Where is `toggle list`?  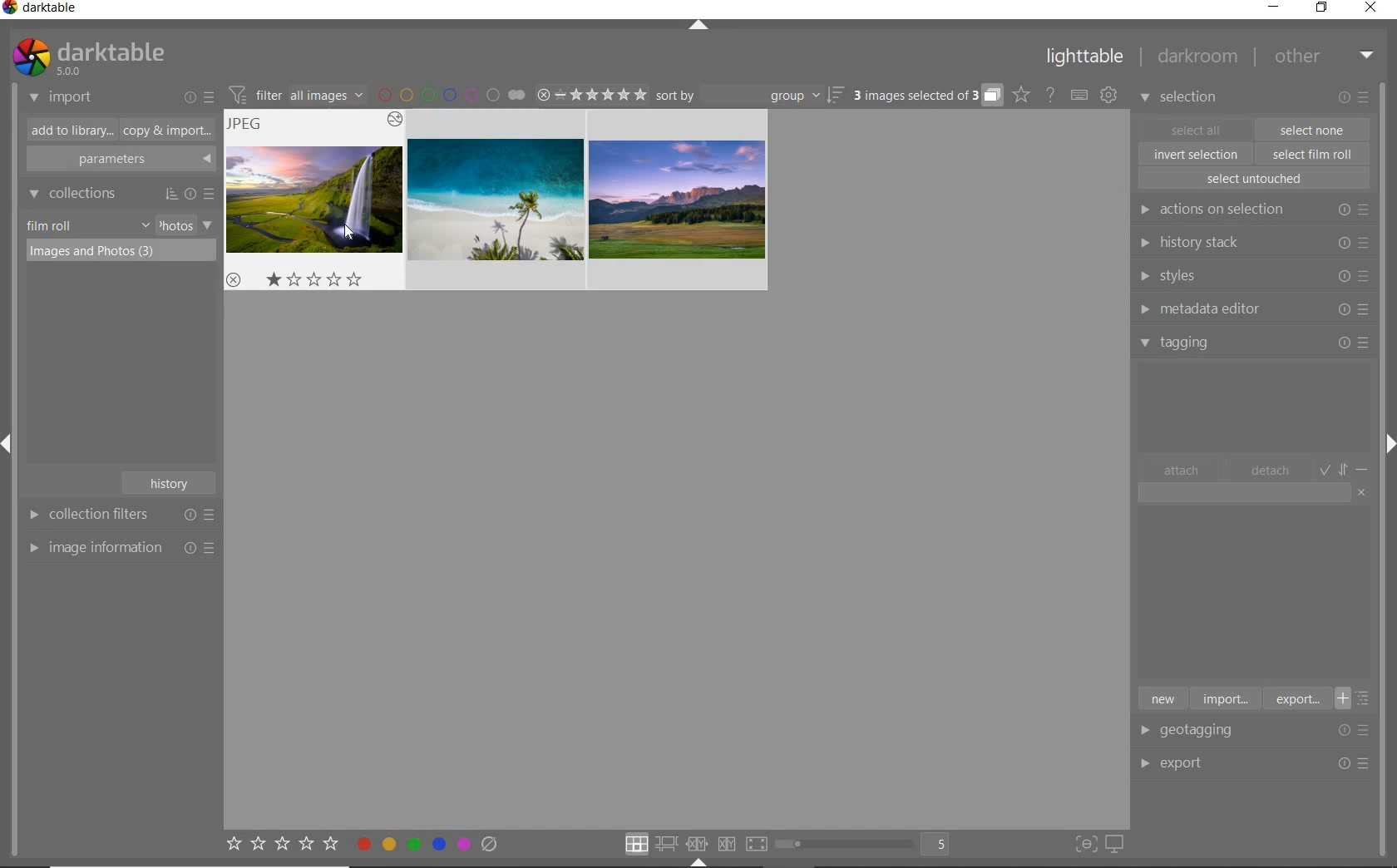
toggle list is located at coordinates (1358, 698).